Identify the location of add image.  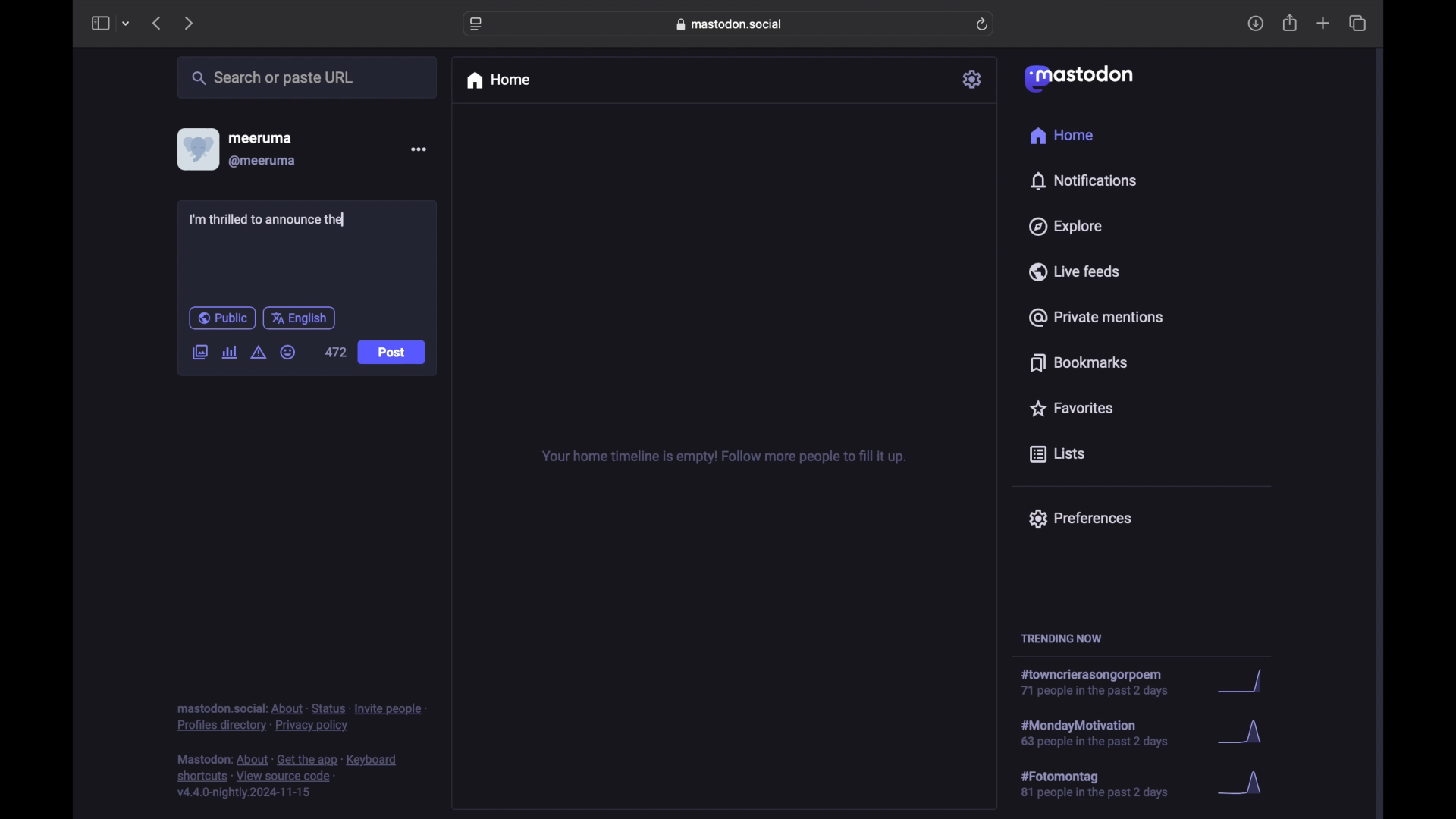
(199, 353).